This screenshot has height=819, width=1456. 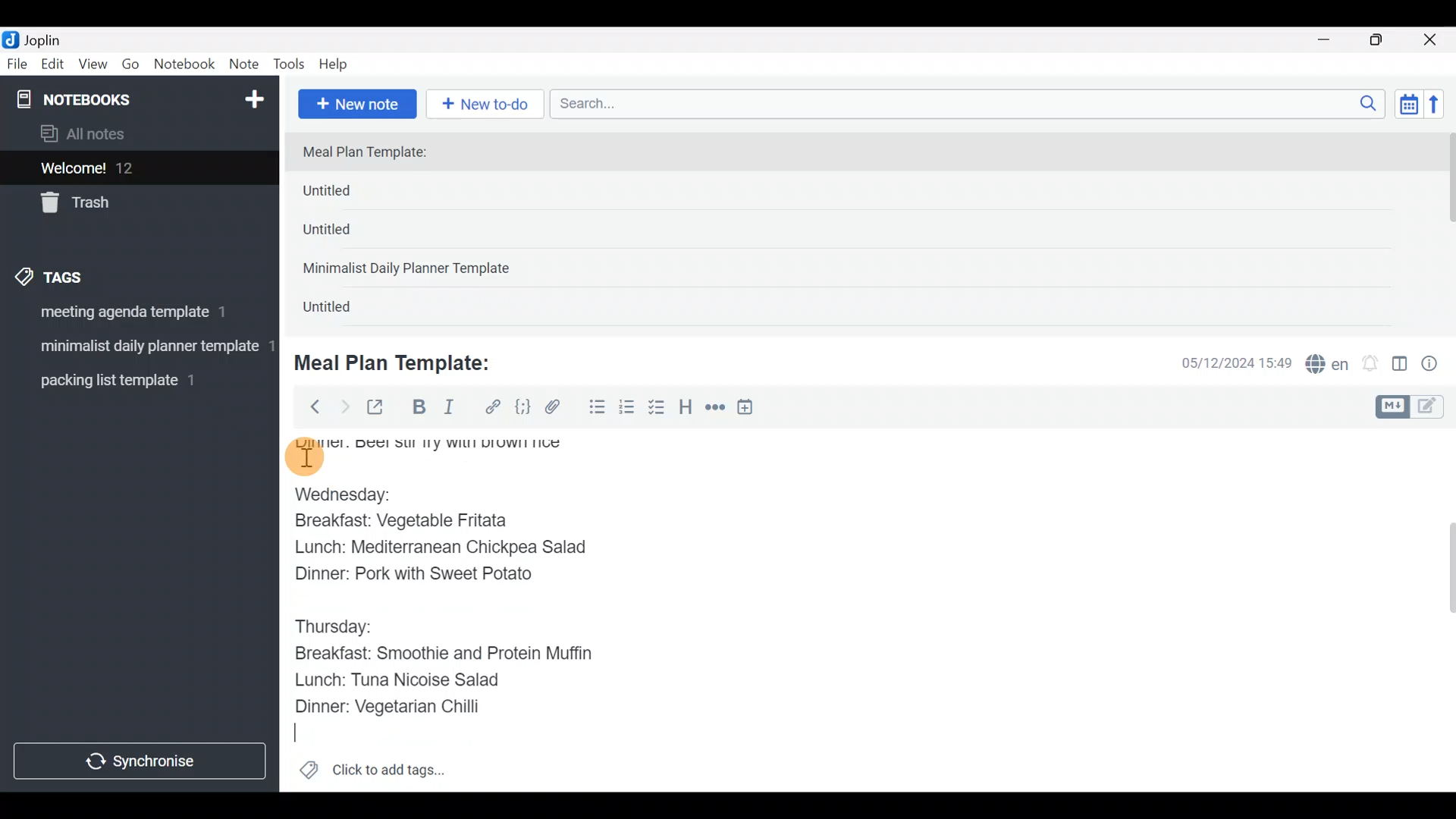 What do you see at coordinates (1332, 38) in the screenshot?
I see `Minimize` at bounding box center [1332, 38].